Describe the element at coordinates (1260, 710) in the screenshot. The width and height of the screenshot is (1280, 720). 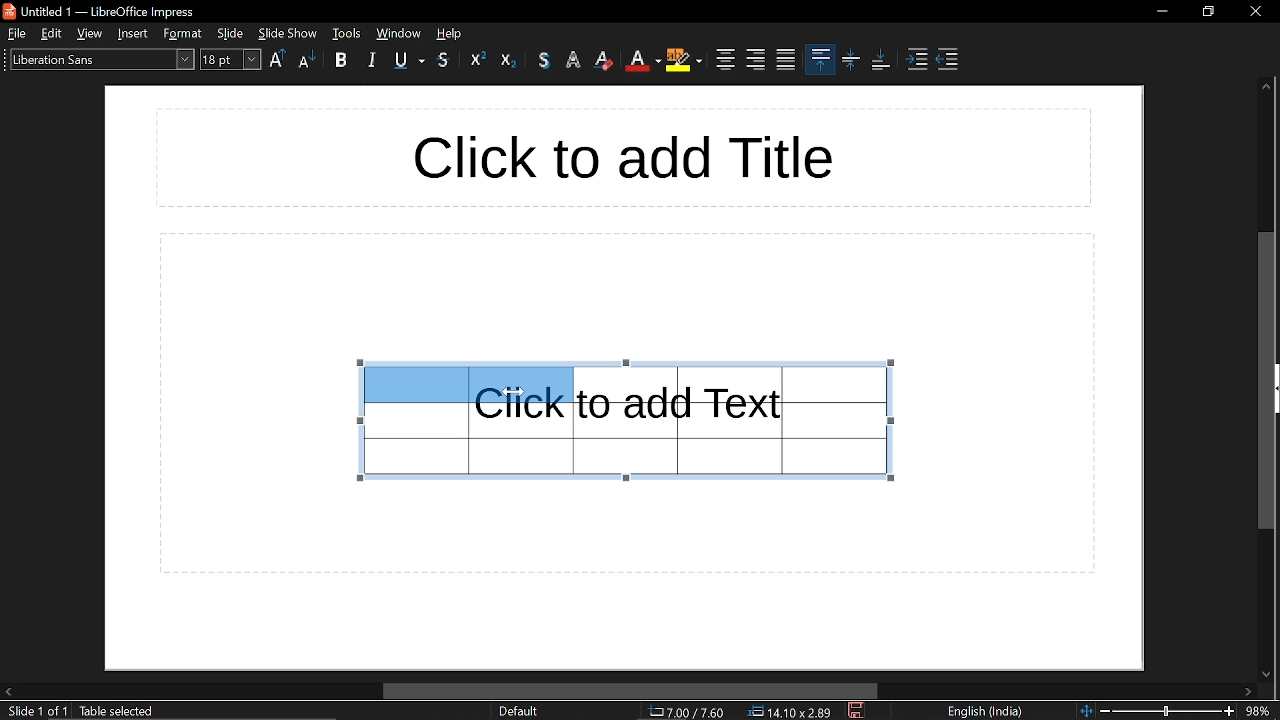
I see `zoom level` at that location.